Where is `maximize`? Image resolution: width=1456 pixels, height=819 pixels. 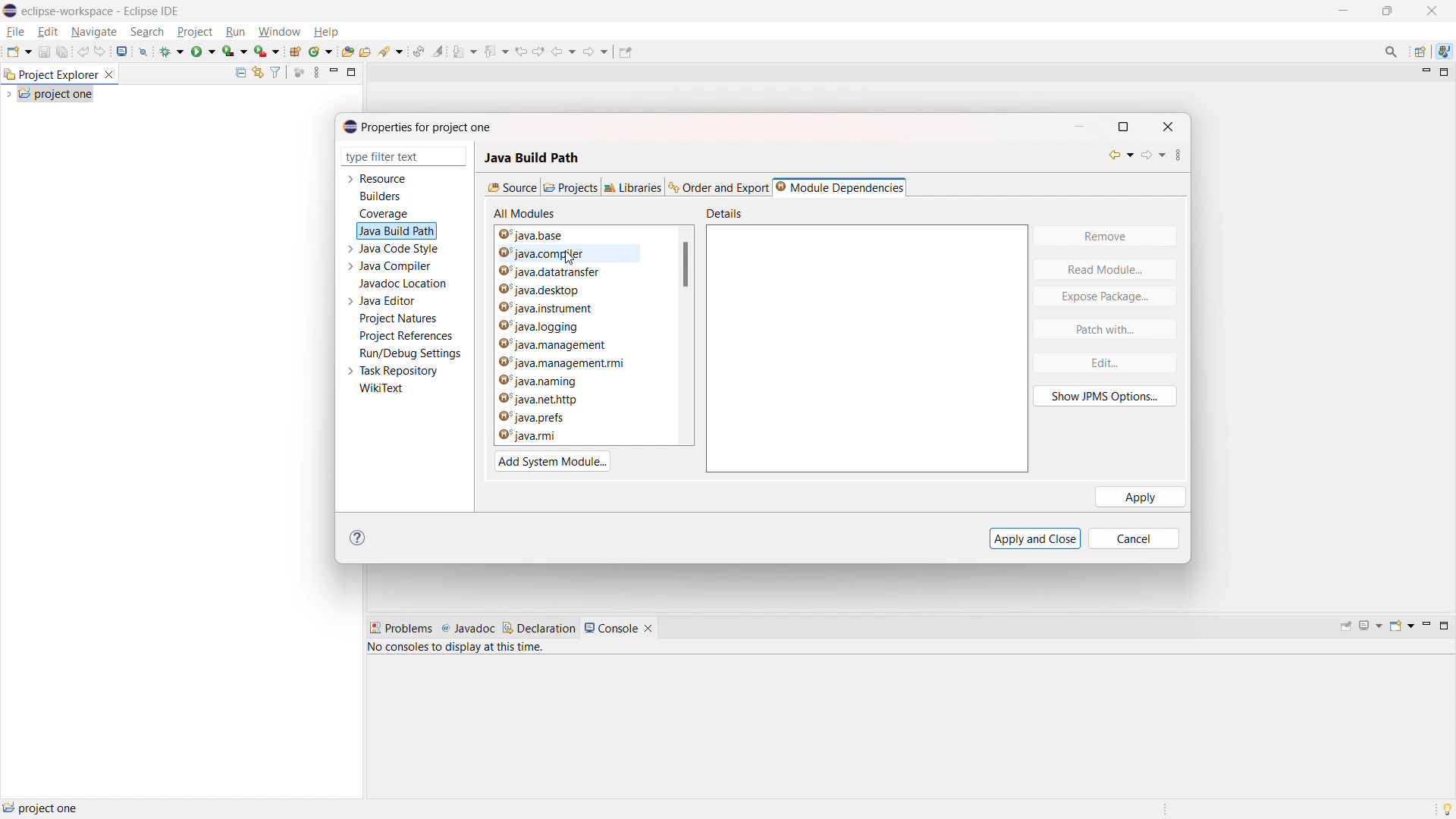
maximize is located at coordinates (1342, 11).